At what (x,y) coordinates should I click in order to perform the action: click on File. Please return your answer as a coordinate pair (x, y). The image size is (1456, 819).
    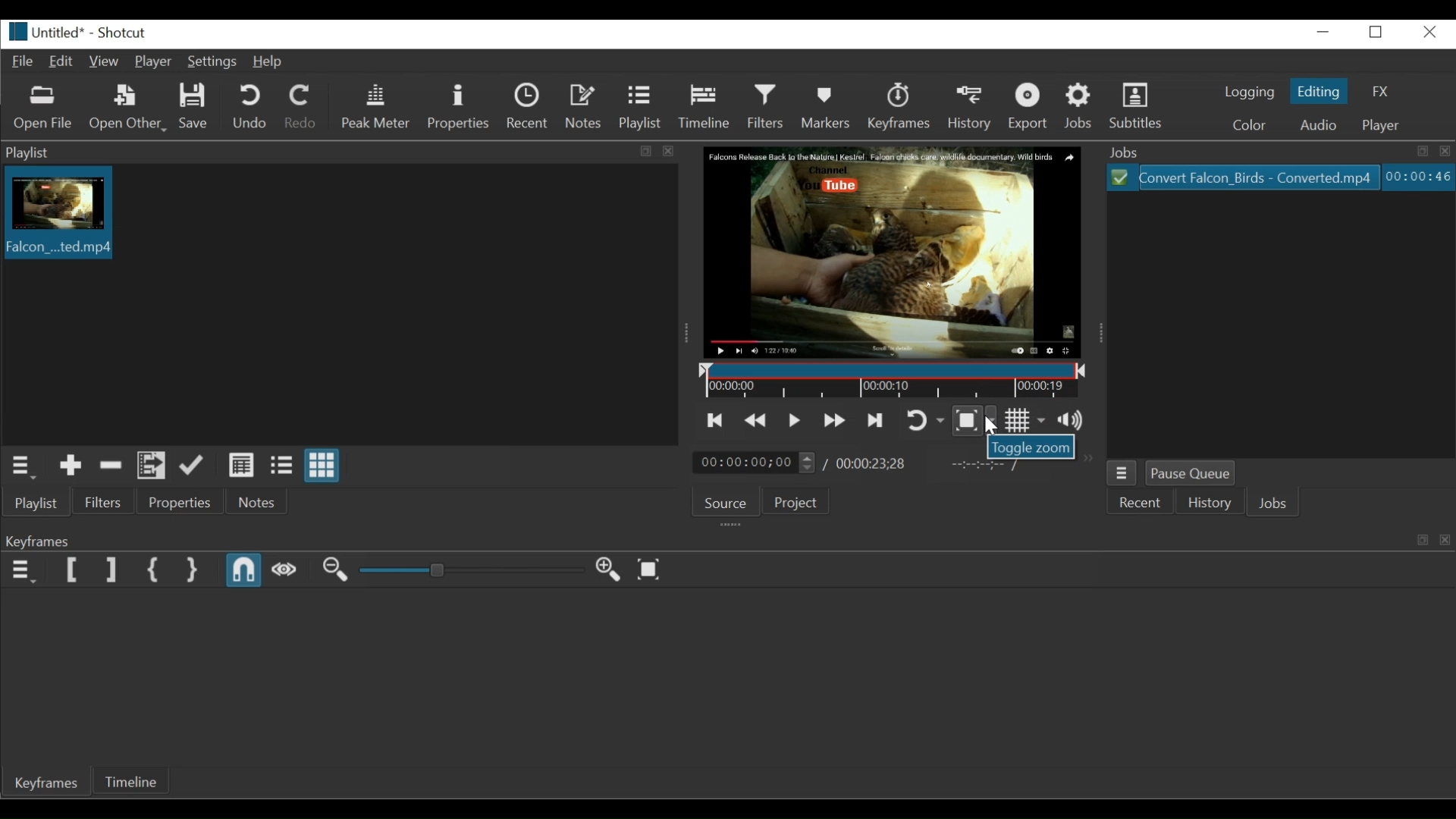
    Looking at the image, I should click on (21, 61).